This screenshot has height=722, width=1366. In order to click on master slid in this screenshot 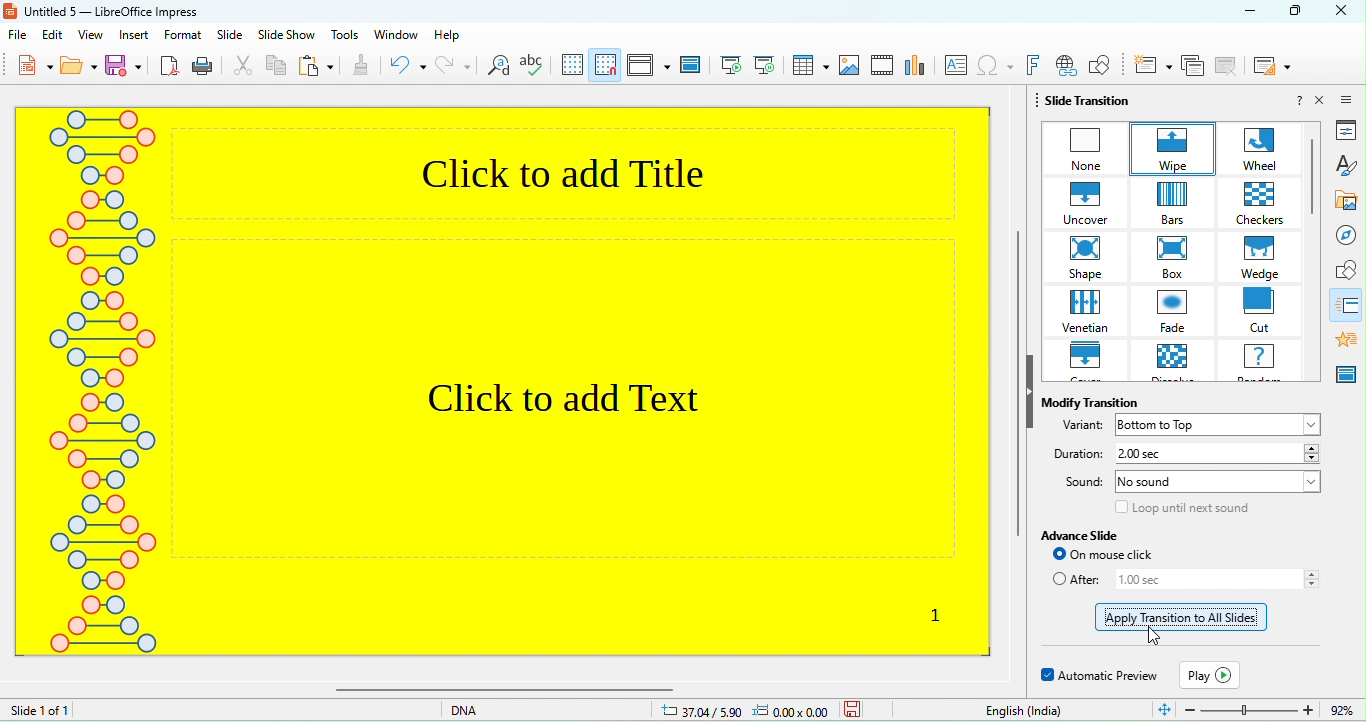, I will do `click(690, 68)`.